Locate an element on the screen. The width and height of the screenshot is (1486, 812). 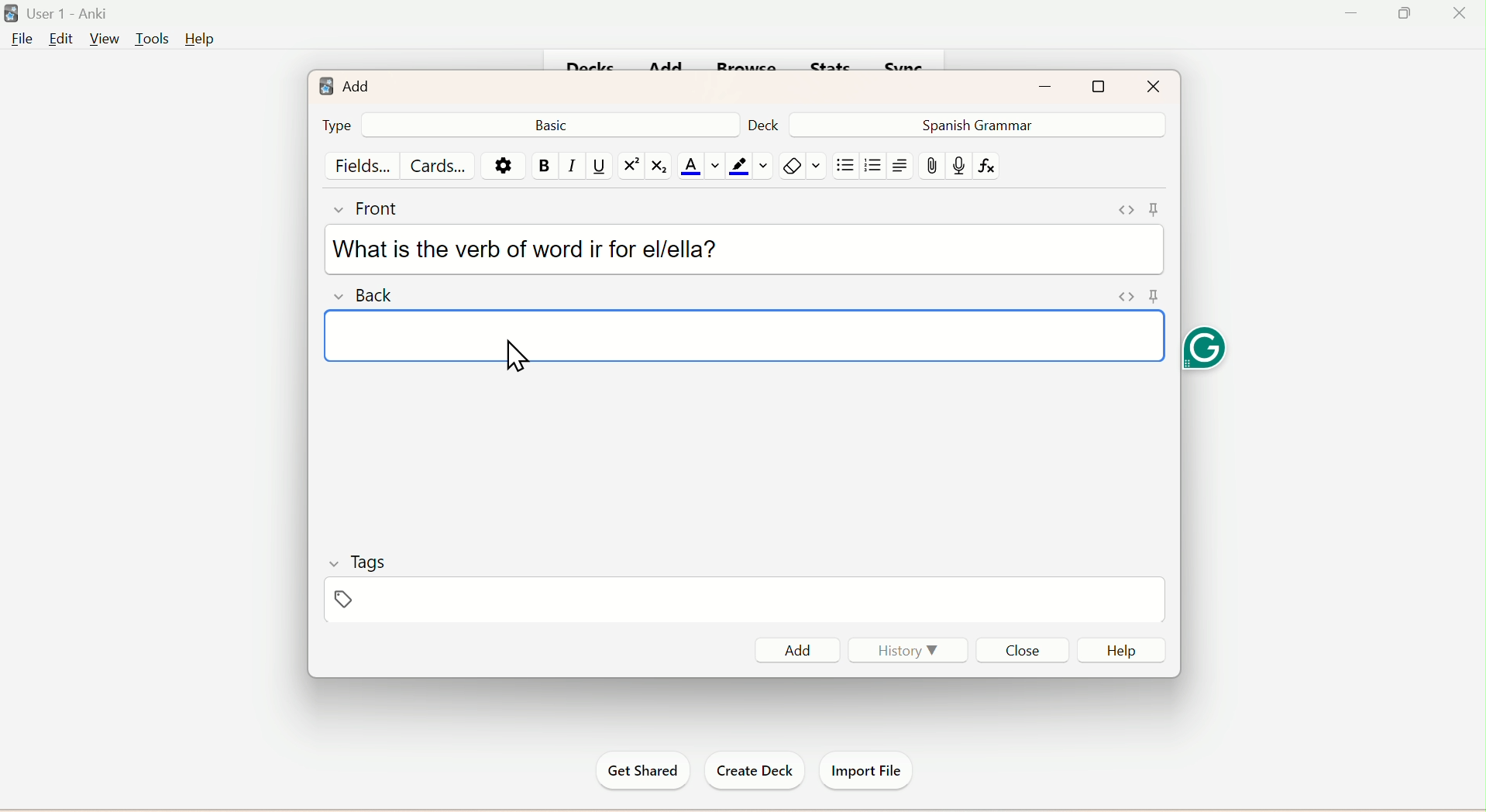
 is located at coordinates (22, 43).